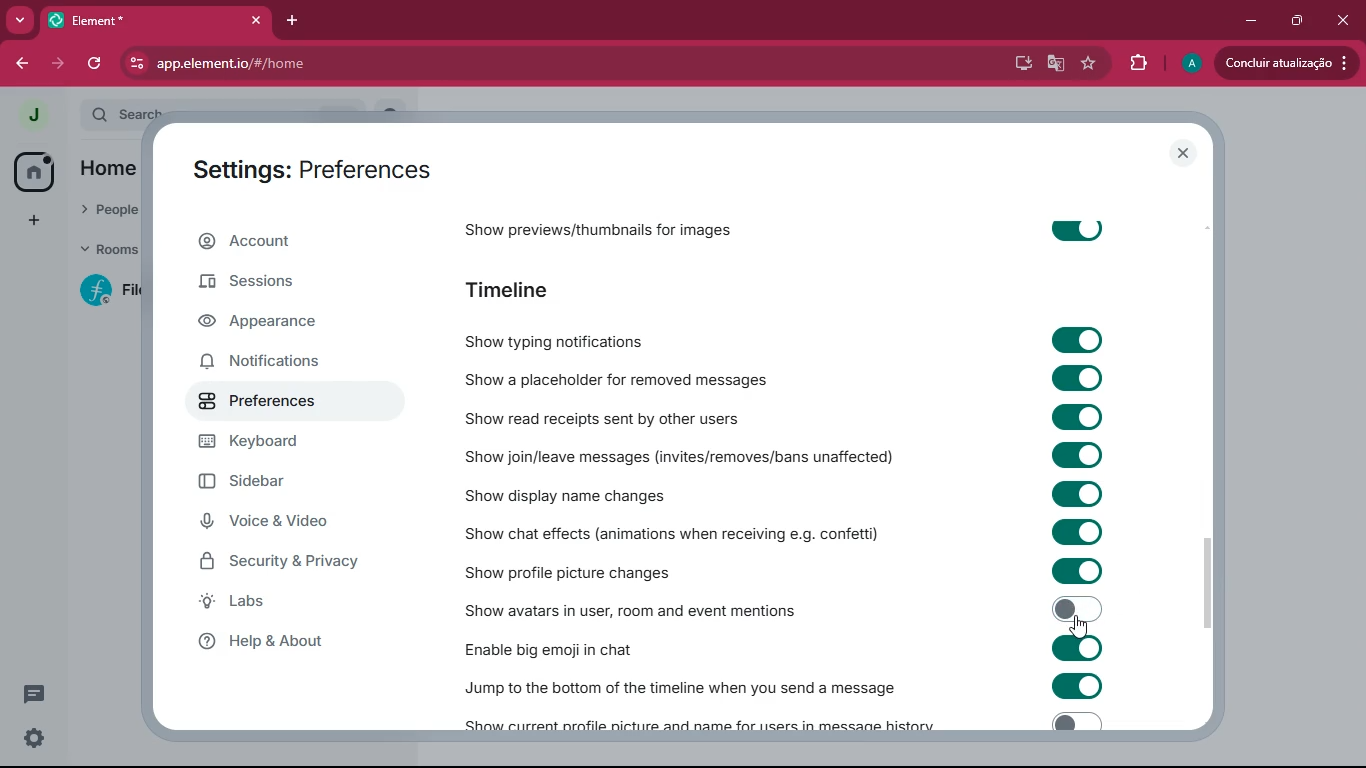 This screenshot has width=1366, height=768. I want to click on file, so click(114, 290).